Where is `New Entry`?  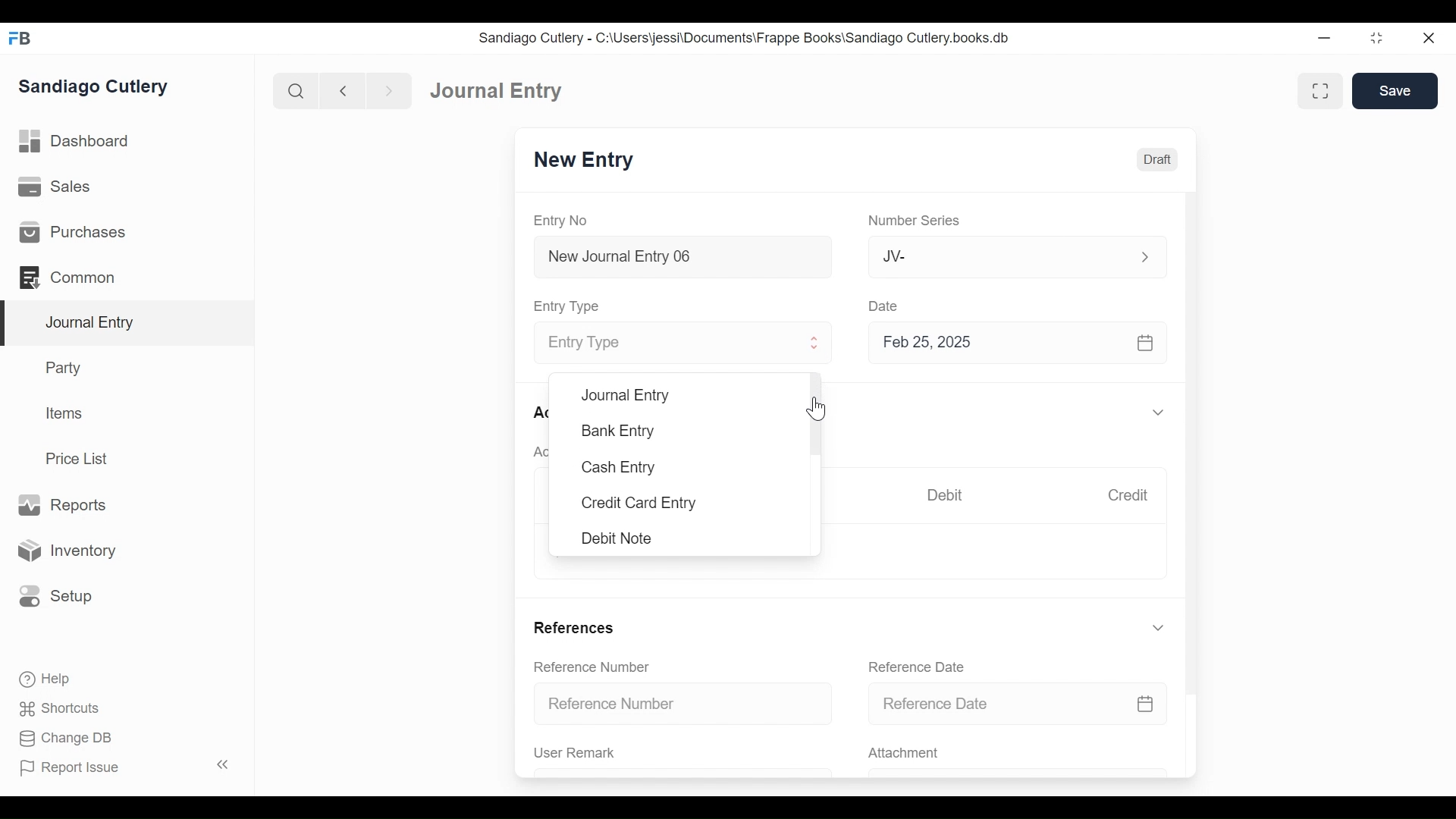 New Entry is located at coordinates (584, 160).